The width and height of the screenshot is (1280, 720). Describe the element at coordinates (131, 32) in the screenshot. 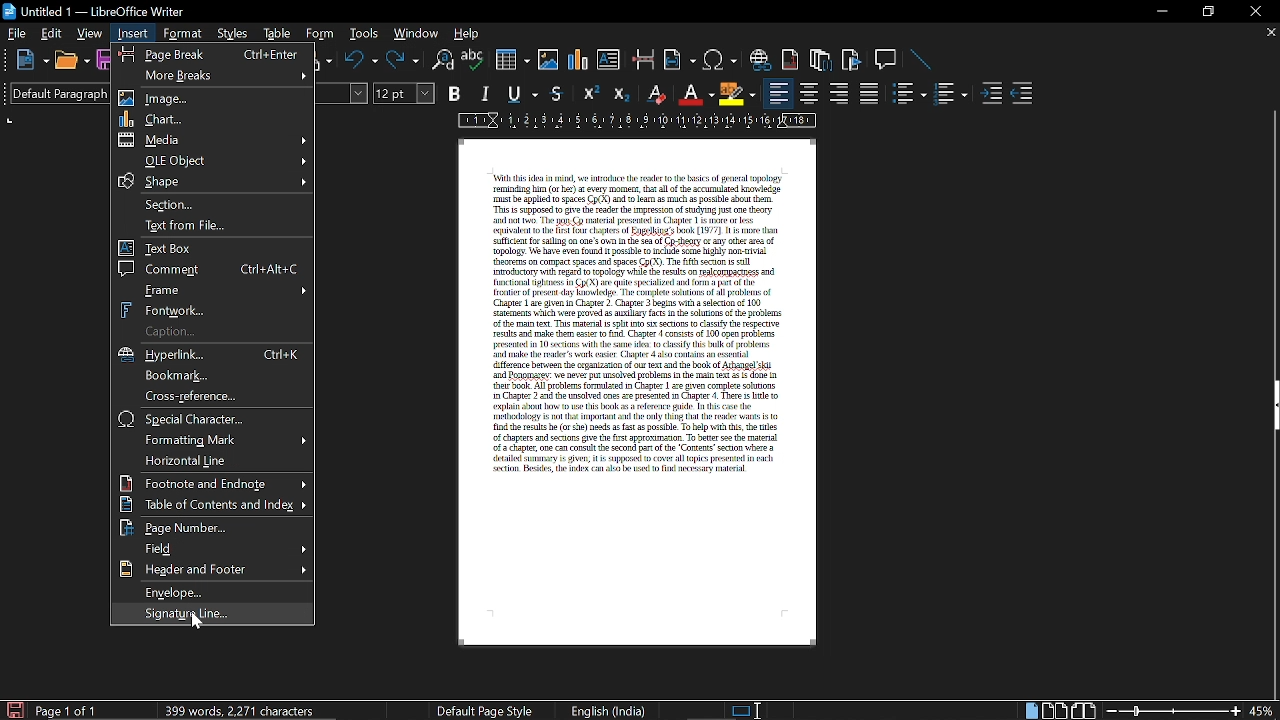

I see `insert` at that location.